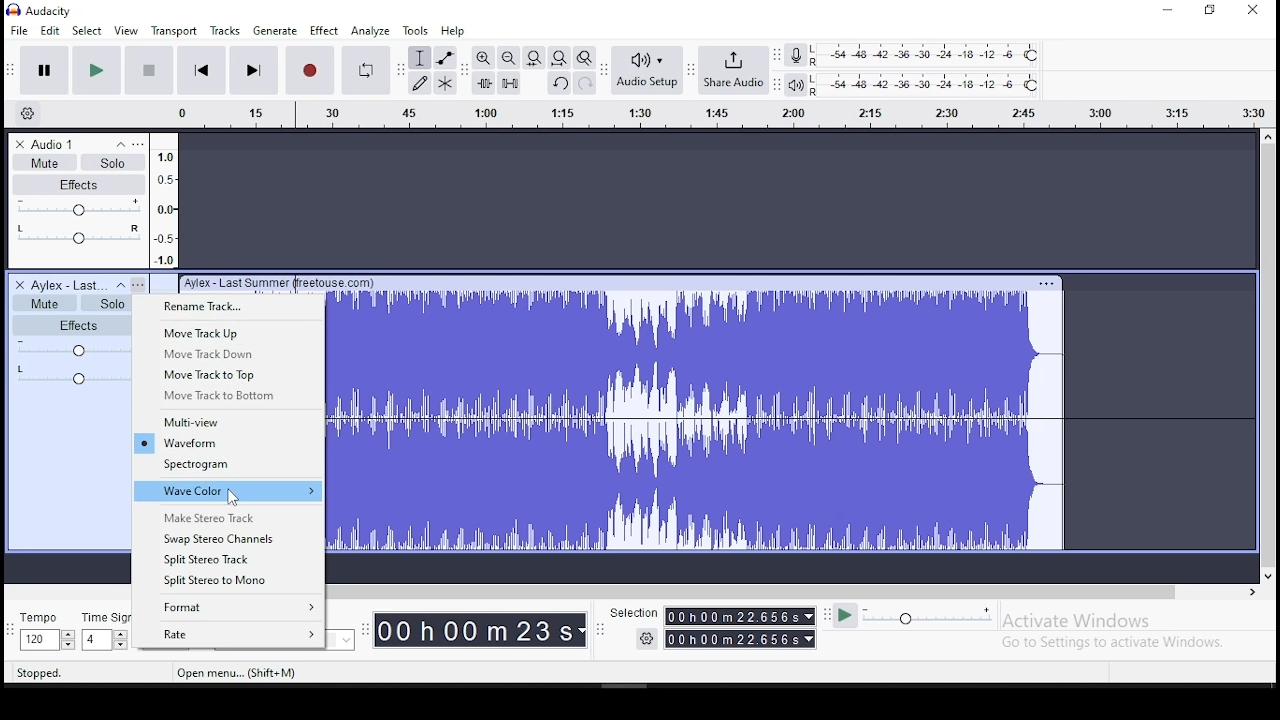  Describe the element at coordinates (103, 302) in the screenshot. I see `solo` at that location.